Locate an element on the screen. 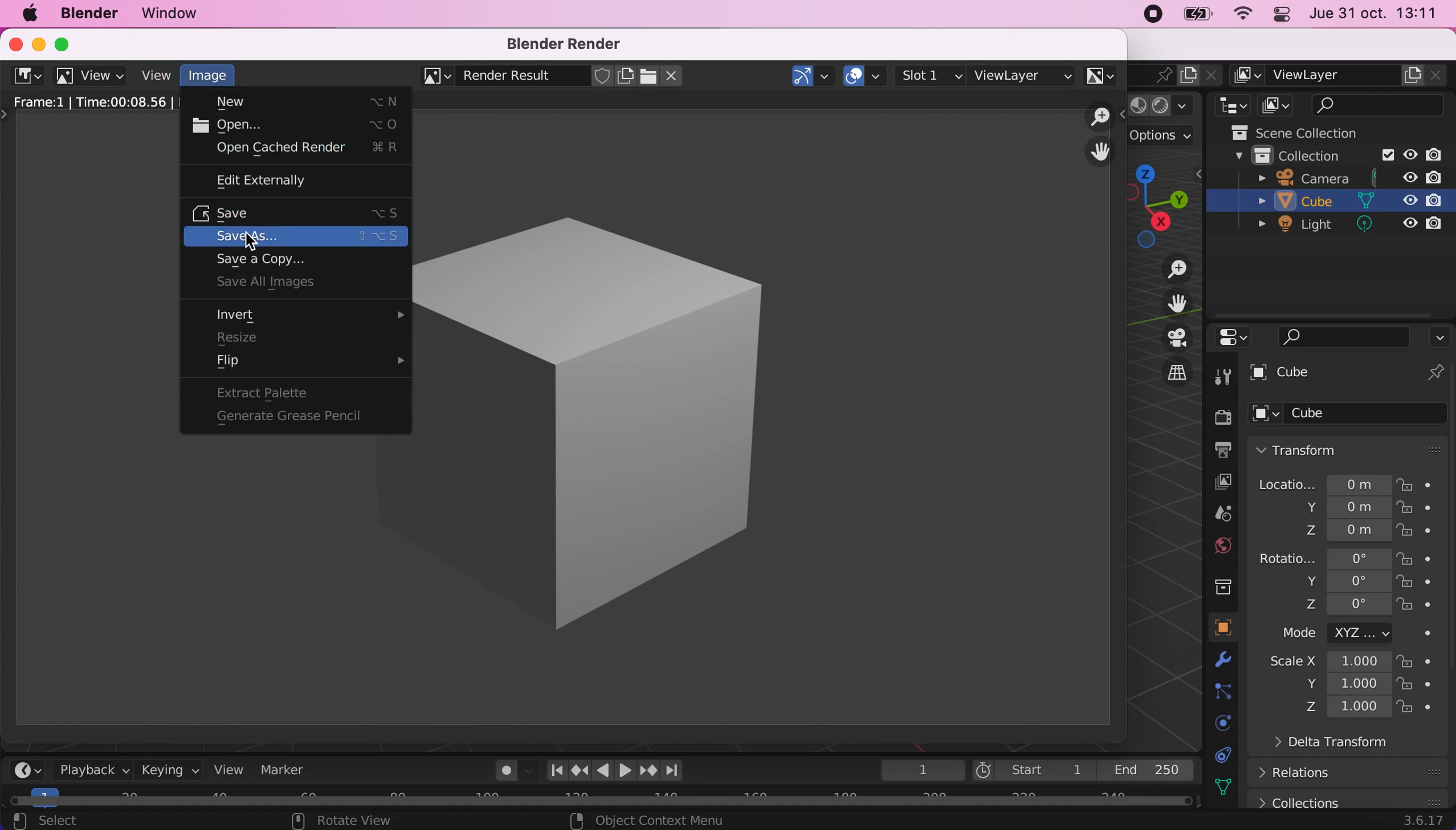 The width and height of the screenshot is (1456, 830). view is located at coordinates (234, 771).